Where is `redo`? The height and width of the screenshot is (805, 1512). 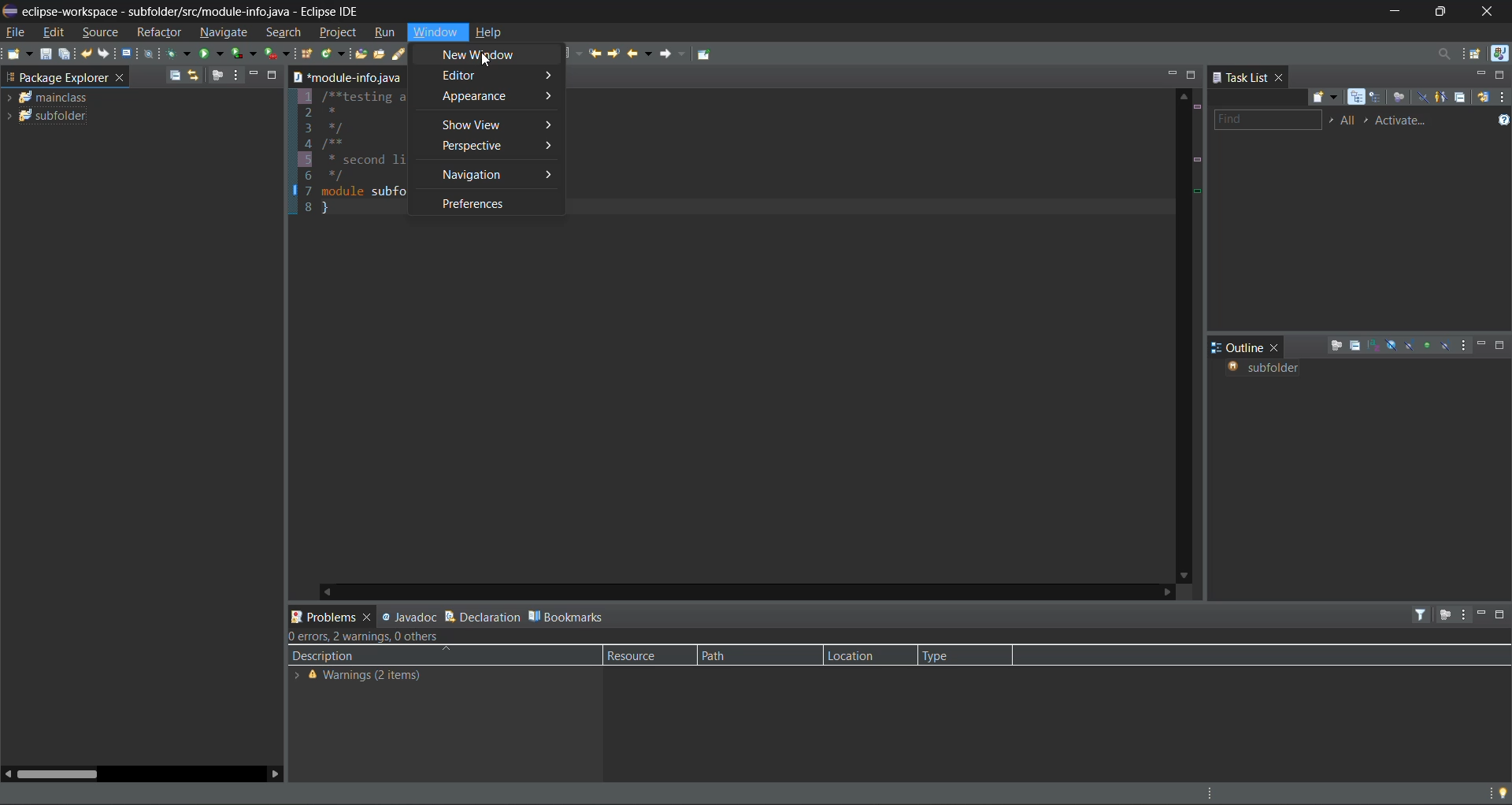 redo is located at coordinates (102, 54).